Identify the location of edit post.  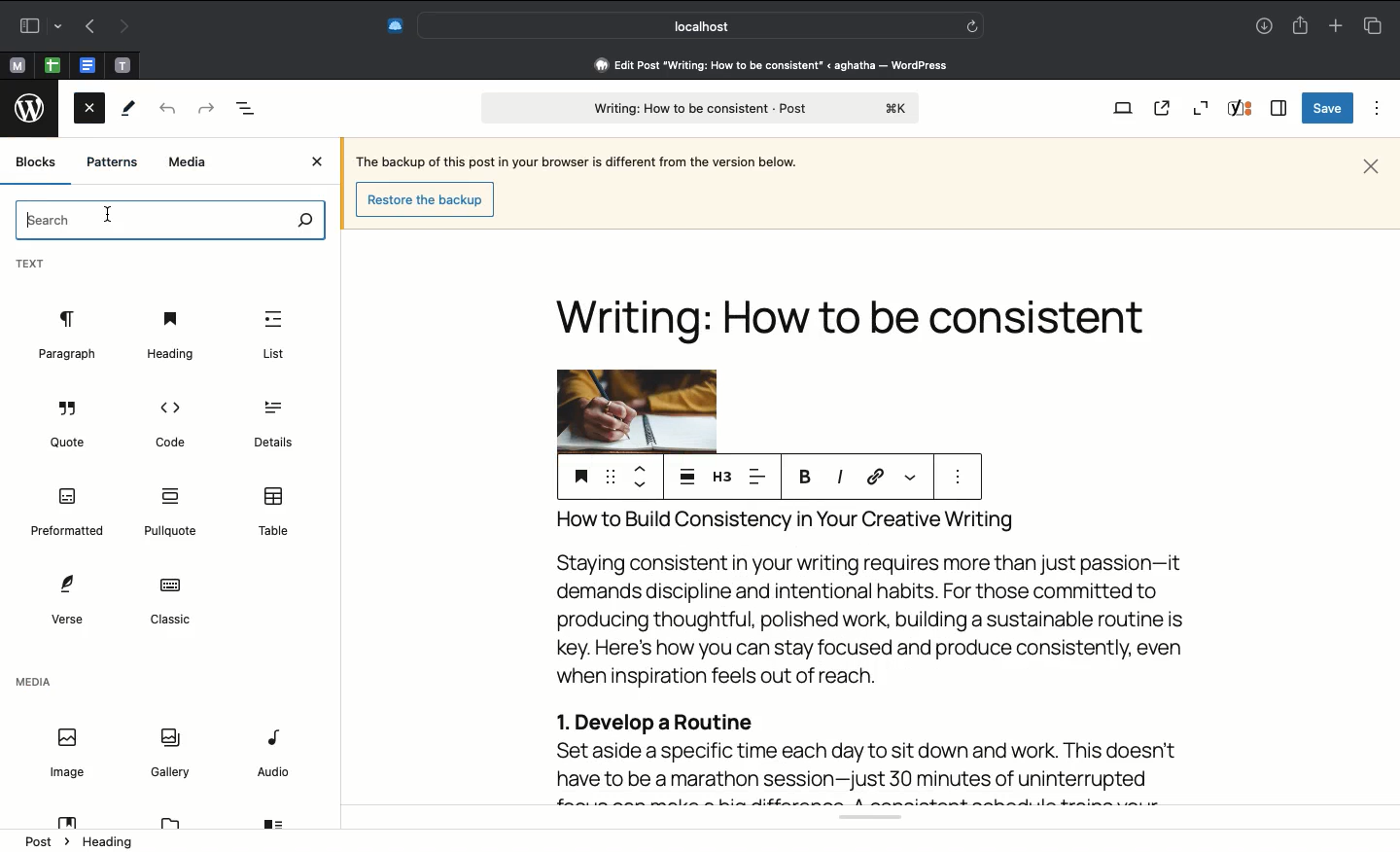
(774, 65).